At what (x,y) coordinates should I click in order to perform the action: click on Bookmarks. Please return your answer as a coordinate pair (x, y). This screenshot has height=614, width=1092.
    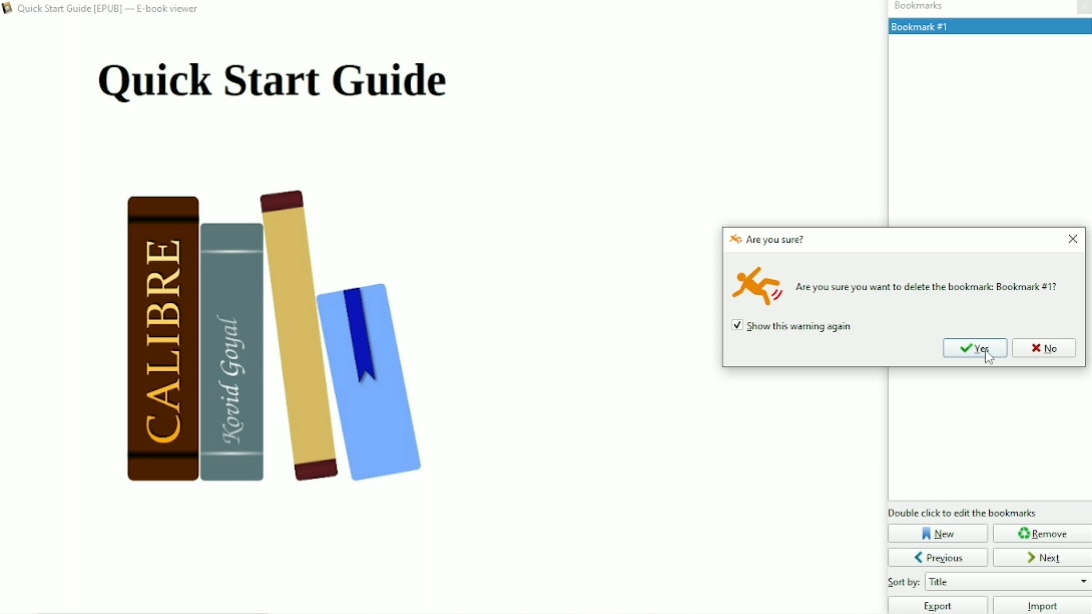
    Looking at the image, I should click on (922, 7).